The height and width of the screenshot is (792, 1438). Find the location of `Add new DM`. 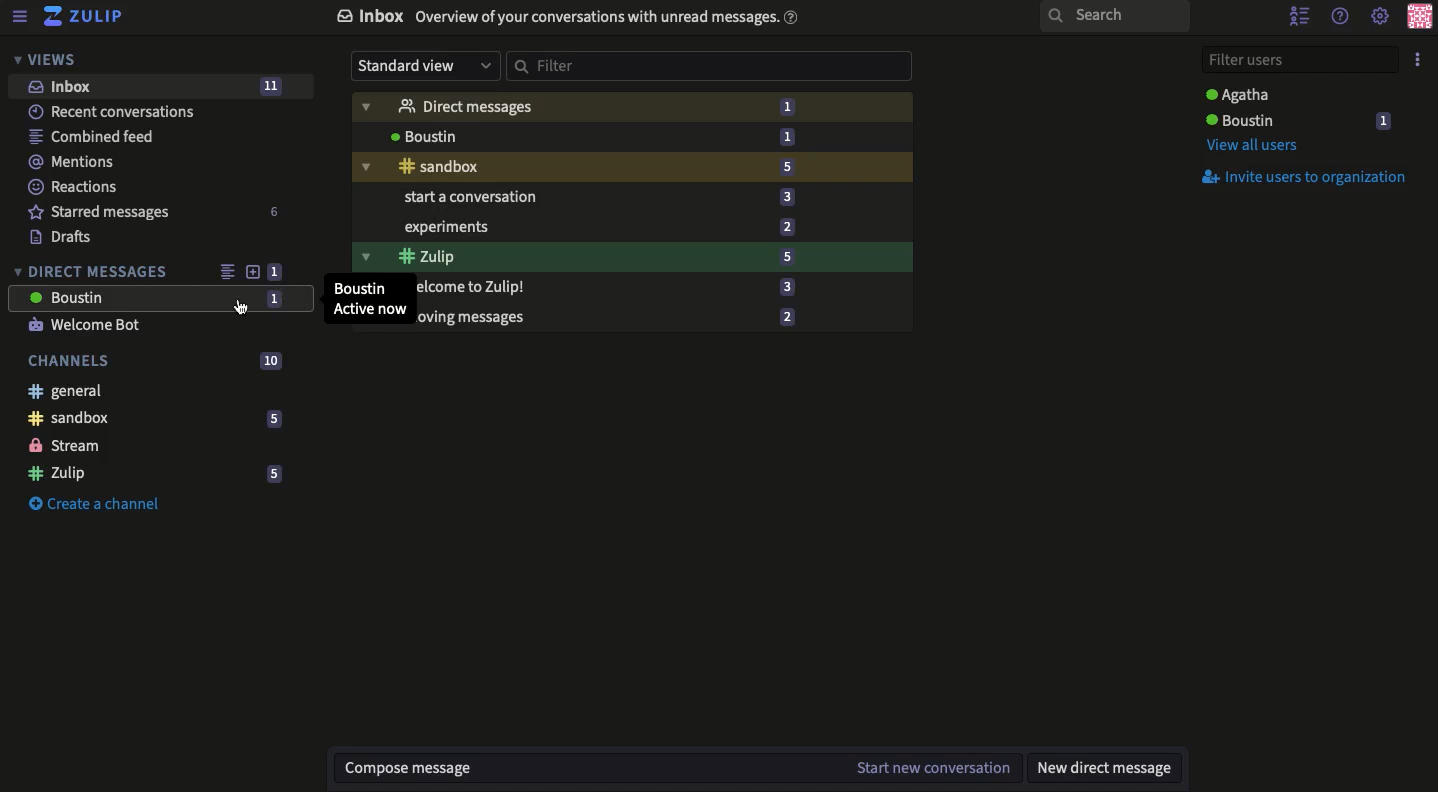

Add new DM is located at coordinates (252, 271).